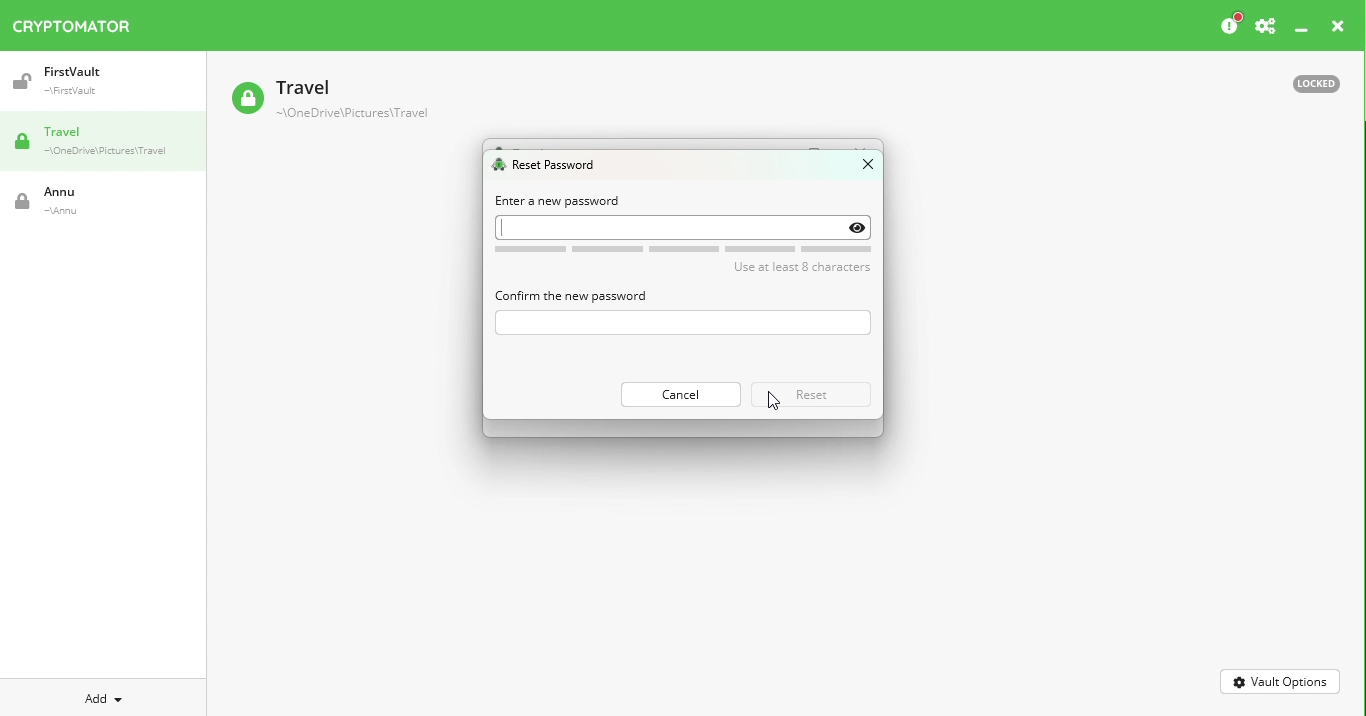  What do you see at coordinates (1307, 82) in the screenshot?
I see `Locked` at bounding box center [1307, 82].